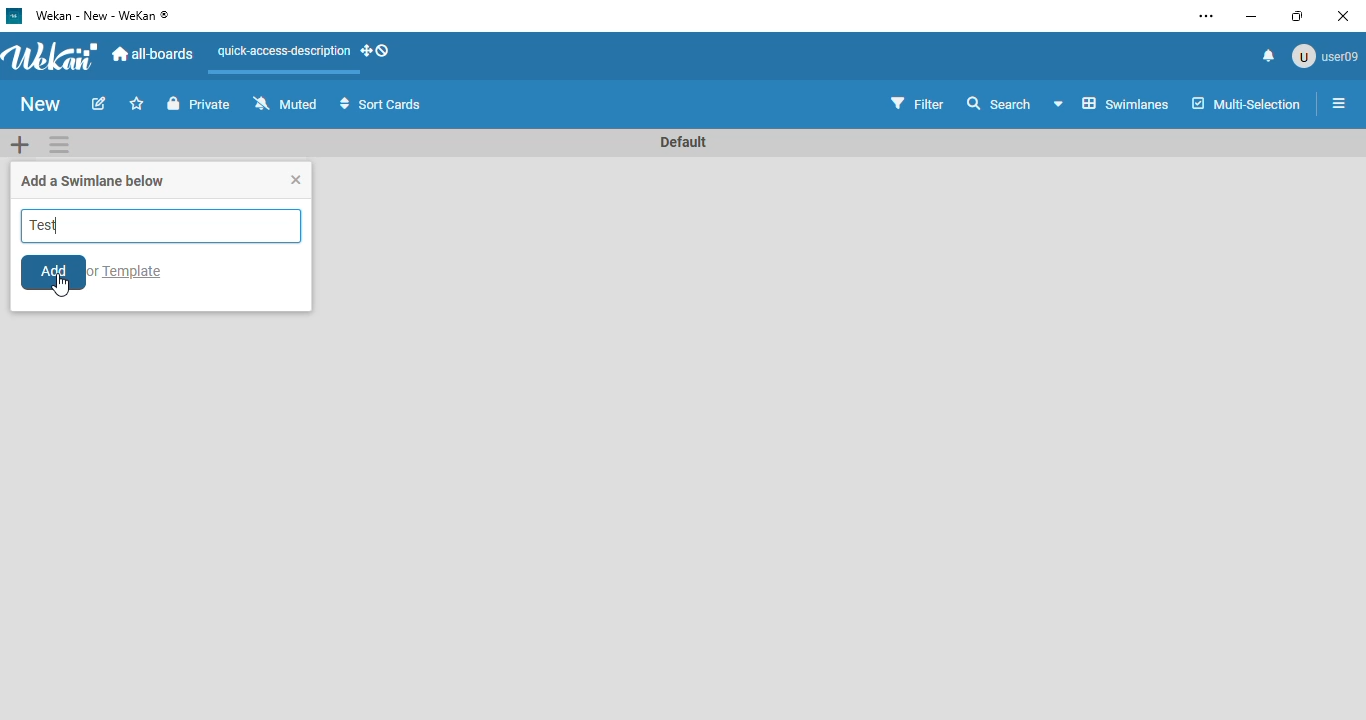 Image resolution: width=1366 pixels, height=720 pixels. I want to click on user09, so click(1324, 56).